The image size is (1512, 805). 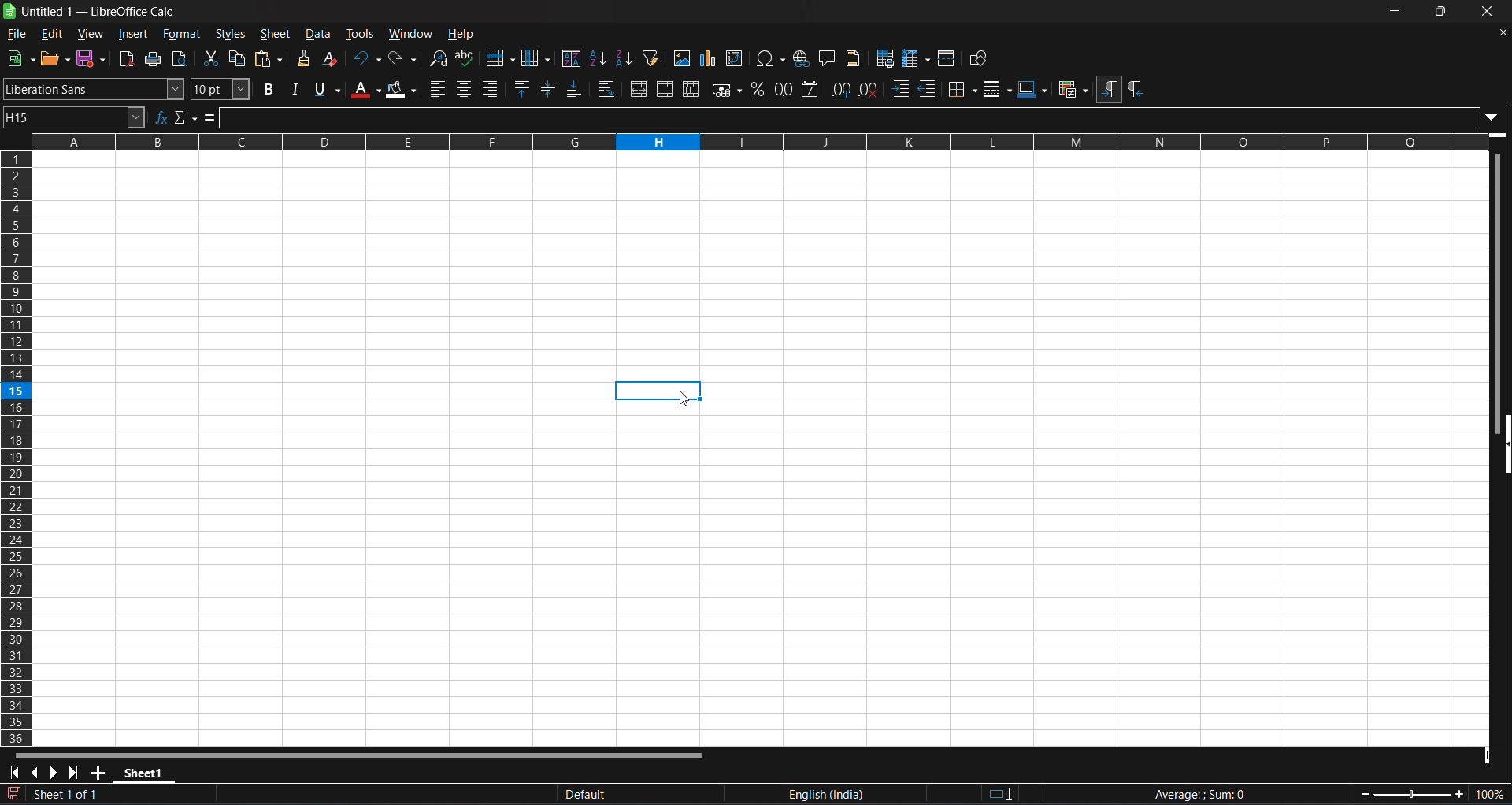 What do you see at coordinates (185, 117) in the screenshot?
I see `select function` at bounding box center [185, 117].